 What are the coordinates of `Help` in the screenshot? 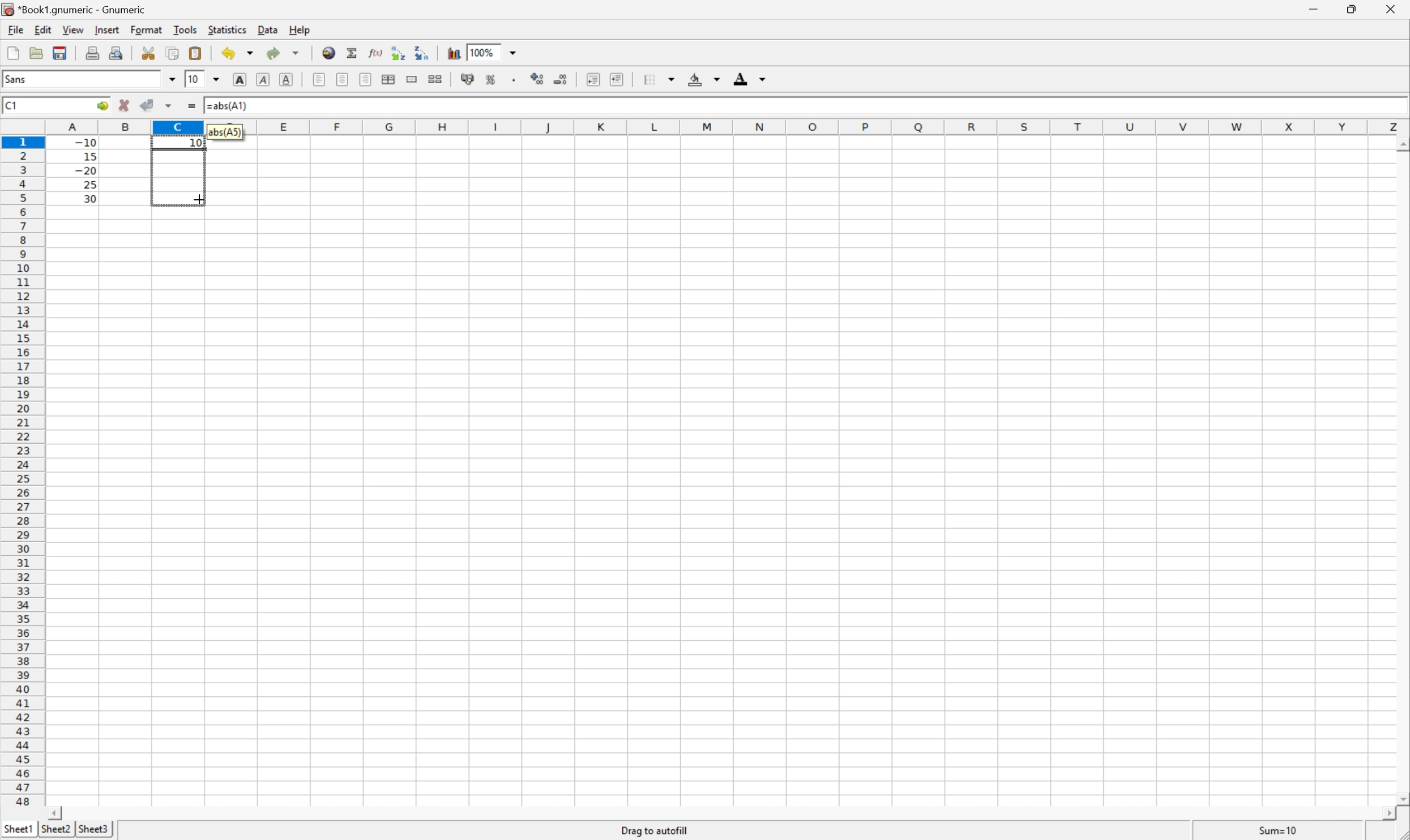 It's located at (300, 31).